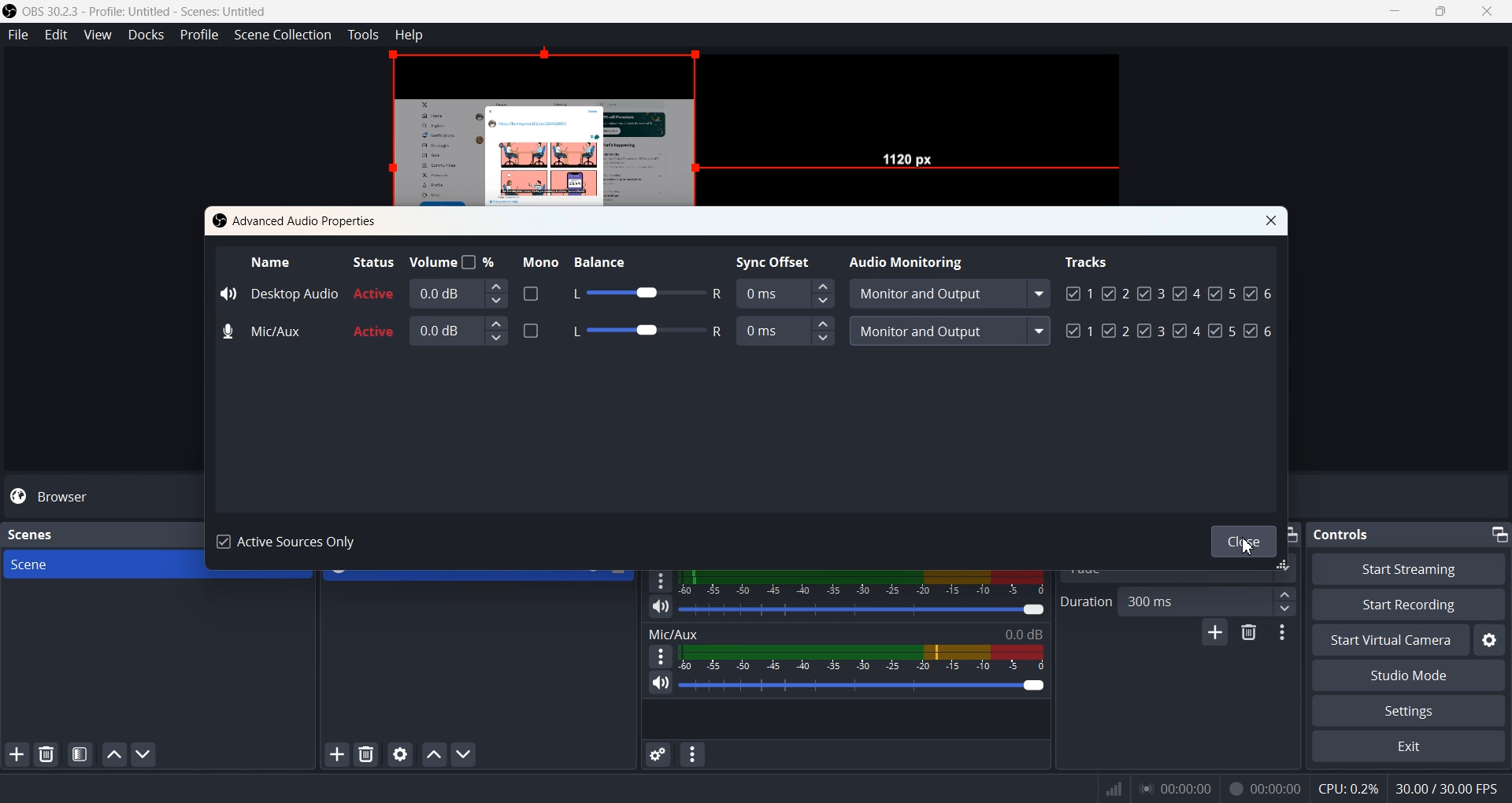 The image size is (1512, 803). Describe the element at coordinates (1410, 568) in the screenshot. I see `Start Streaming` at that location.